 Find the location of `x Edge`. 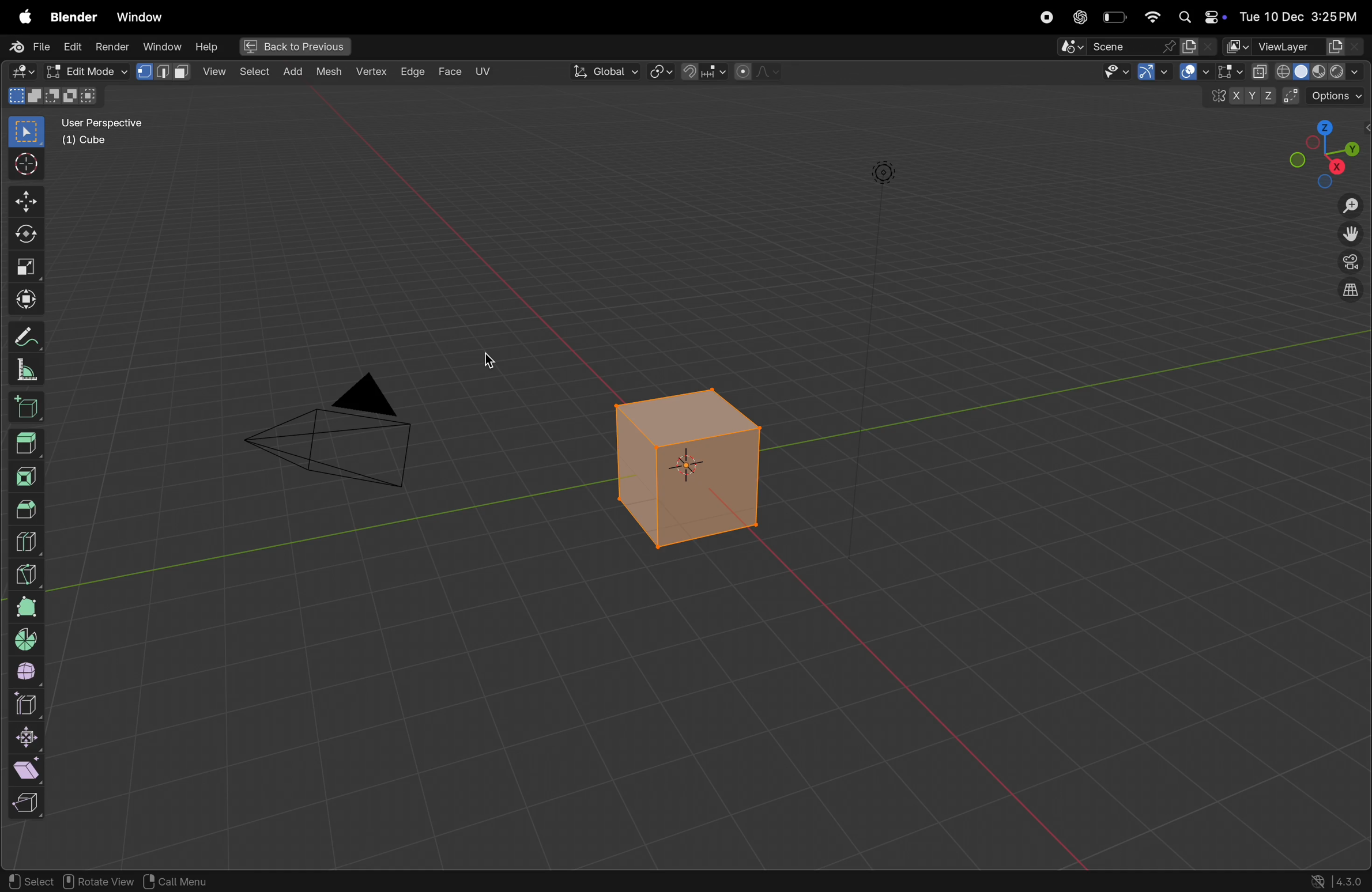

x Edge is located at coordinates (413, 70).